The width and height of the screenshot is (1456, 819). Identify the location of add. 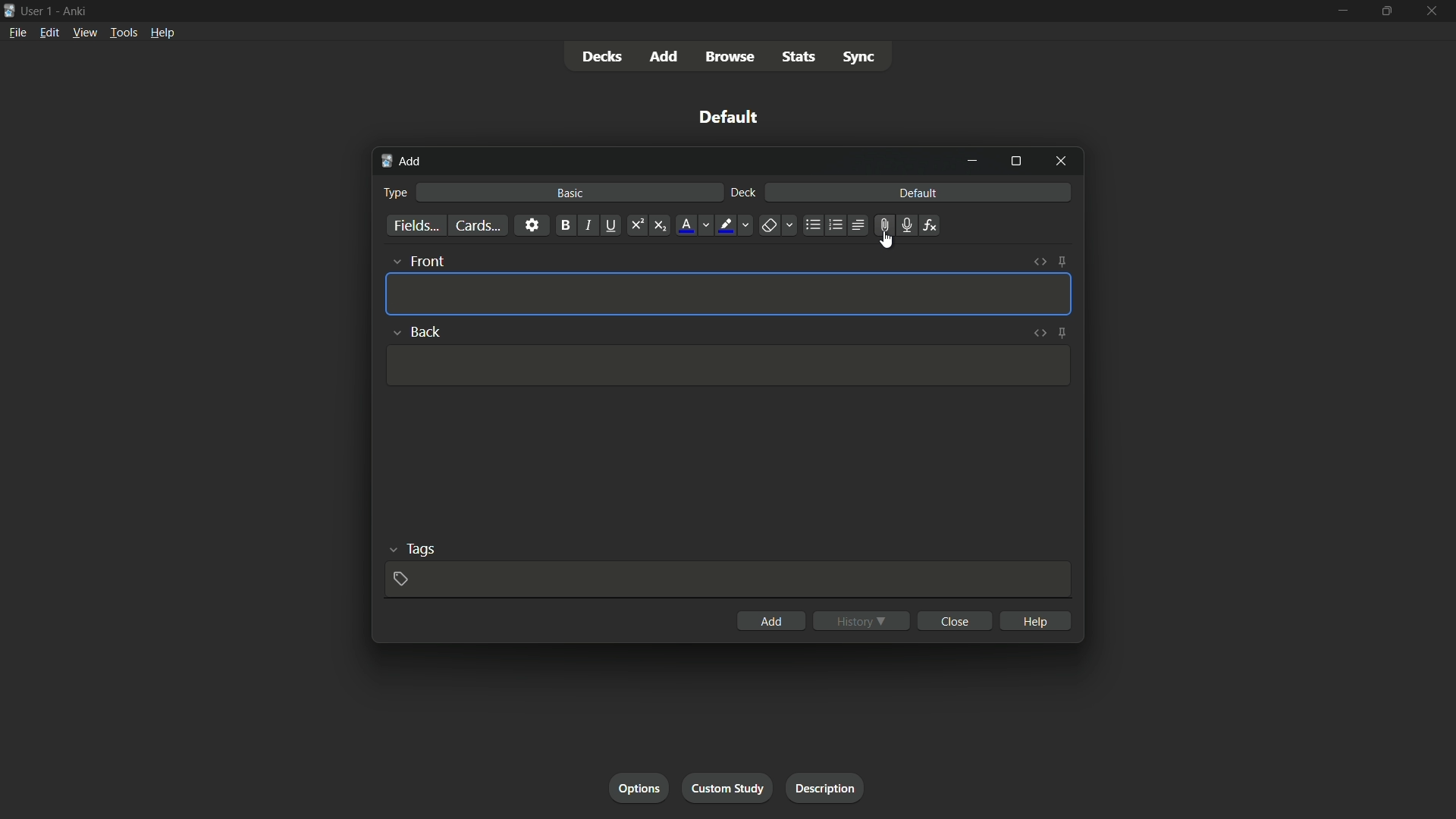
(400, 161).